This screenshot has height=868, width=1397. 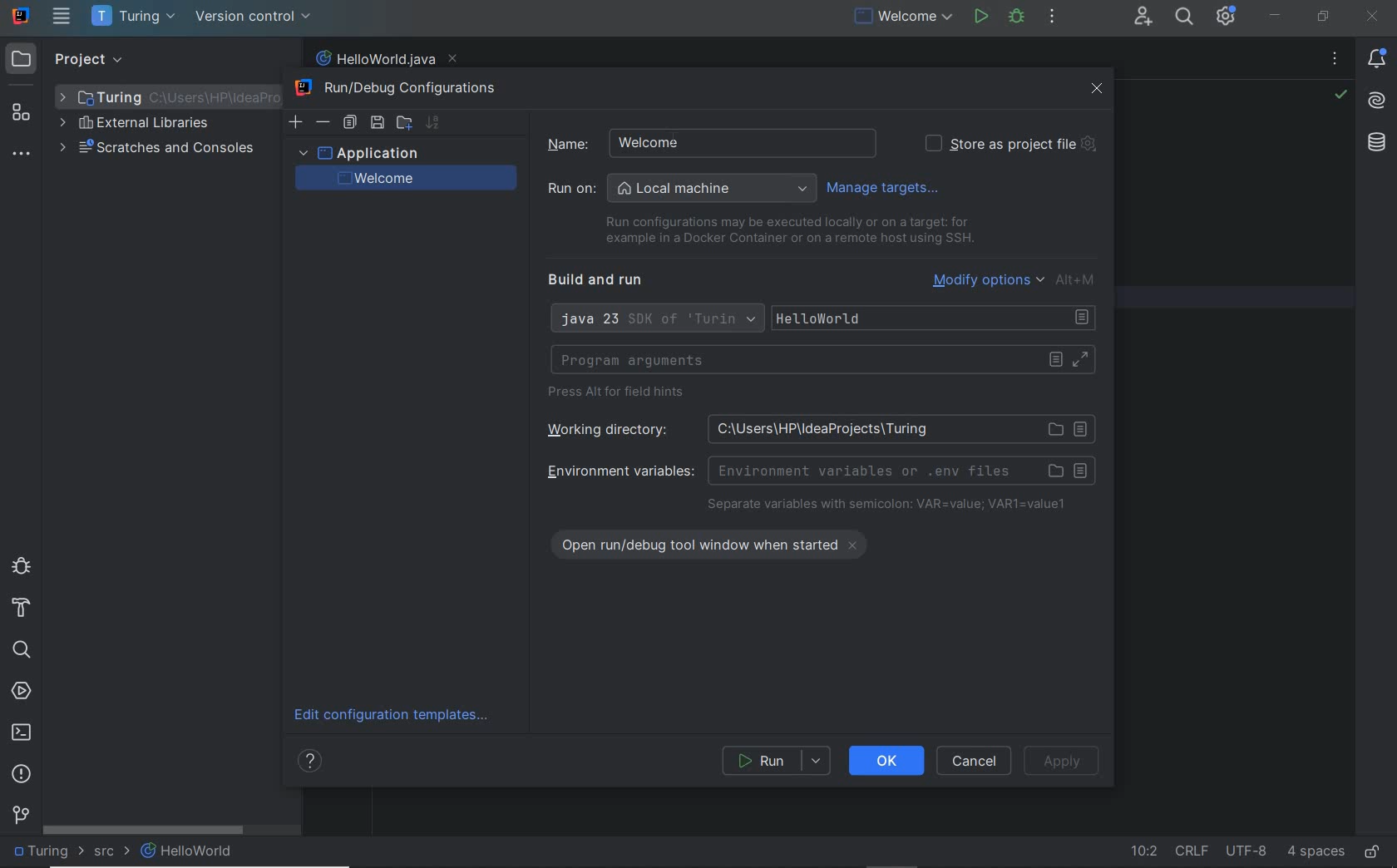 What do you see at coordinates (1380, 146) in the screenshot?
I see `Database` at bounding box center [1380, 146].